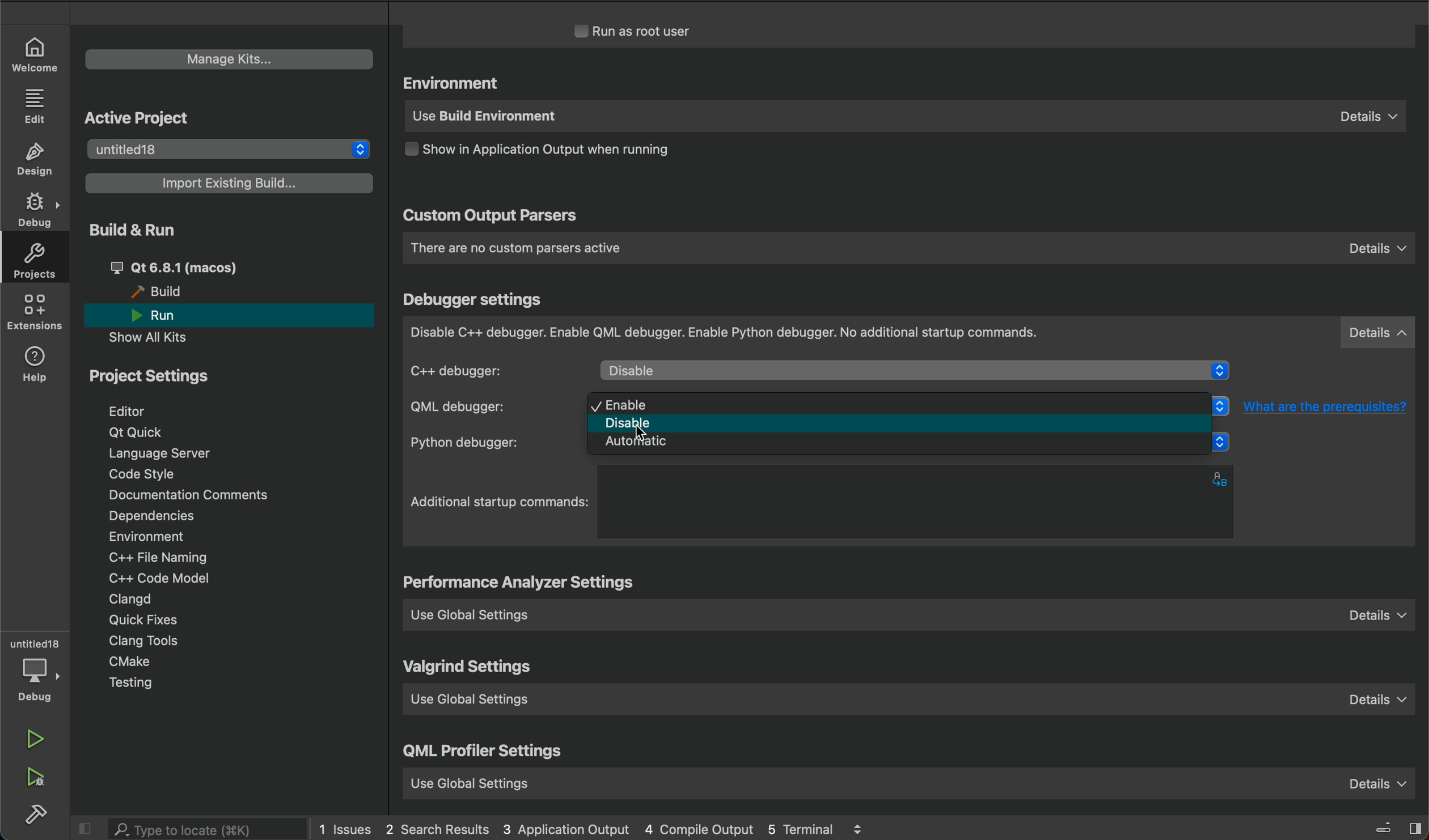 This screenshot has width=1429, height=840. Describe the element at coordinates (902, 405) in the screenshot. I see `enable` at that location.